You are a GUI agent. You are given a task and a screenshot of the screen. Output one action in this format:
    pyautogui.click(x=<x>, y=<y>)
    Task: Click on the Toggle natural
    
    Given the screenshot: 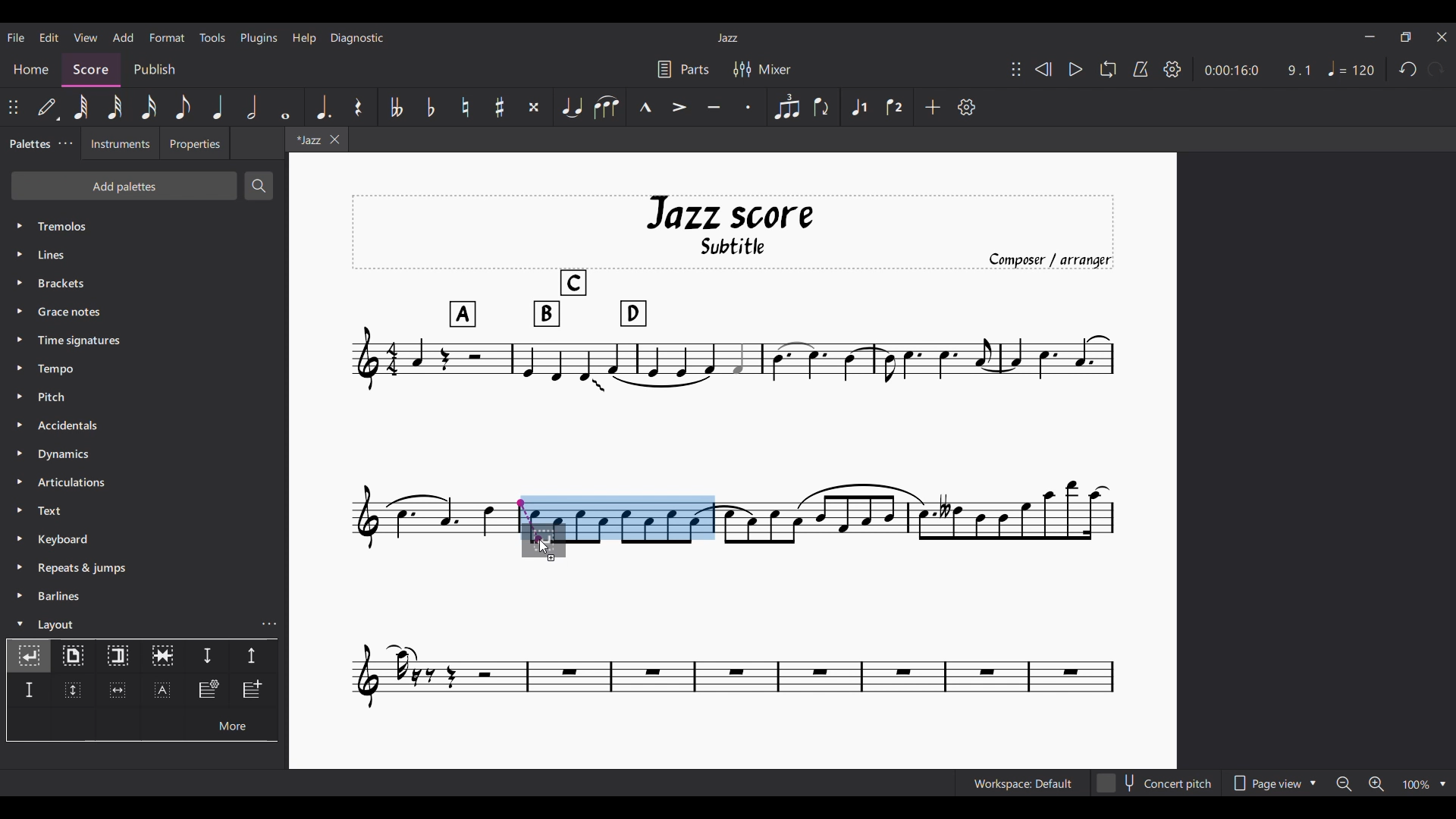 What is the action you would take?
    pyautogui.click(x=466, y=107)
    